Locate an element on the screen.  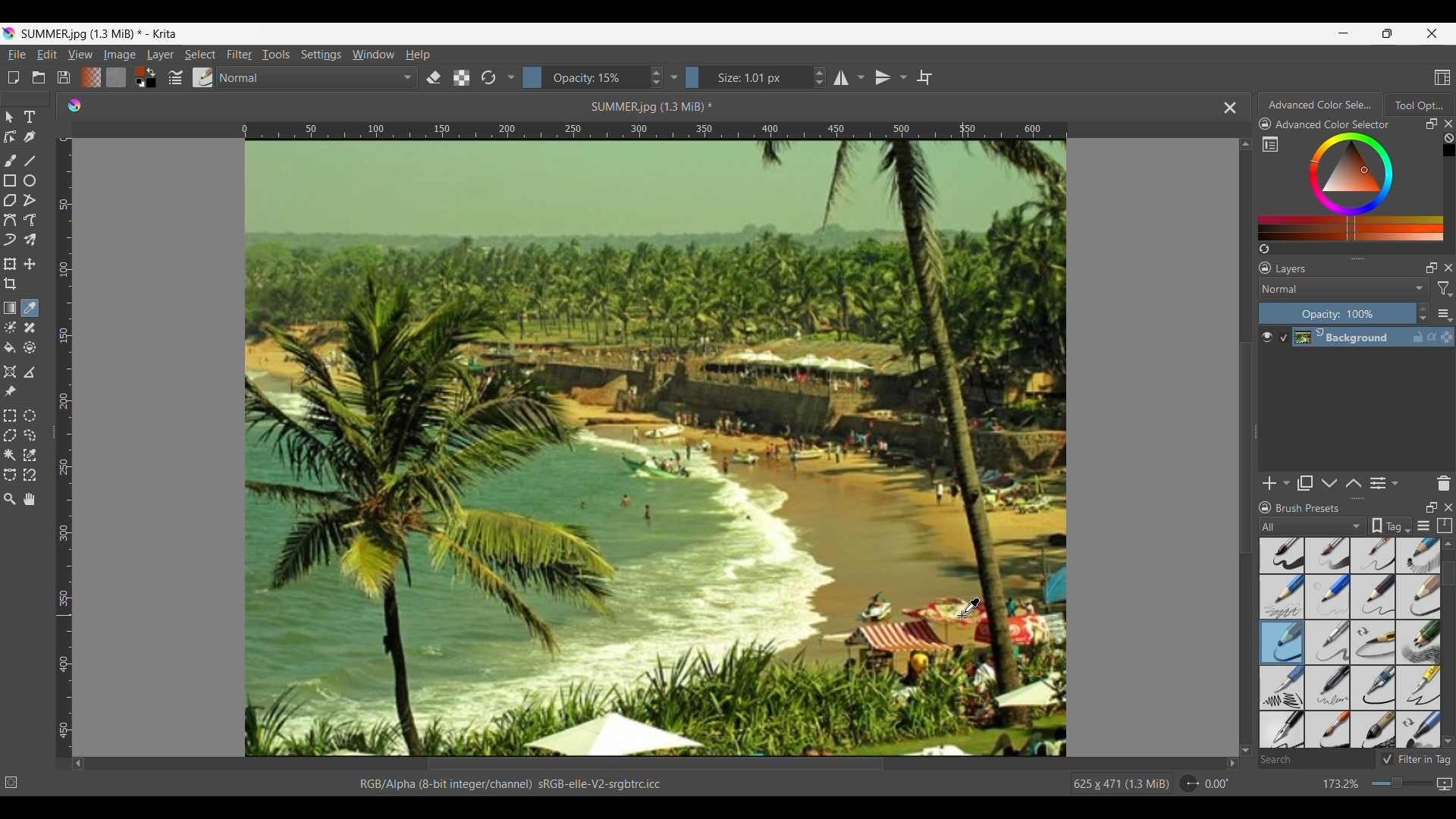
Freehand path tool is located at coordinates (30, 220).